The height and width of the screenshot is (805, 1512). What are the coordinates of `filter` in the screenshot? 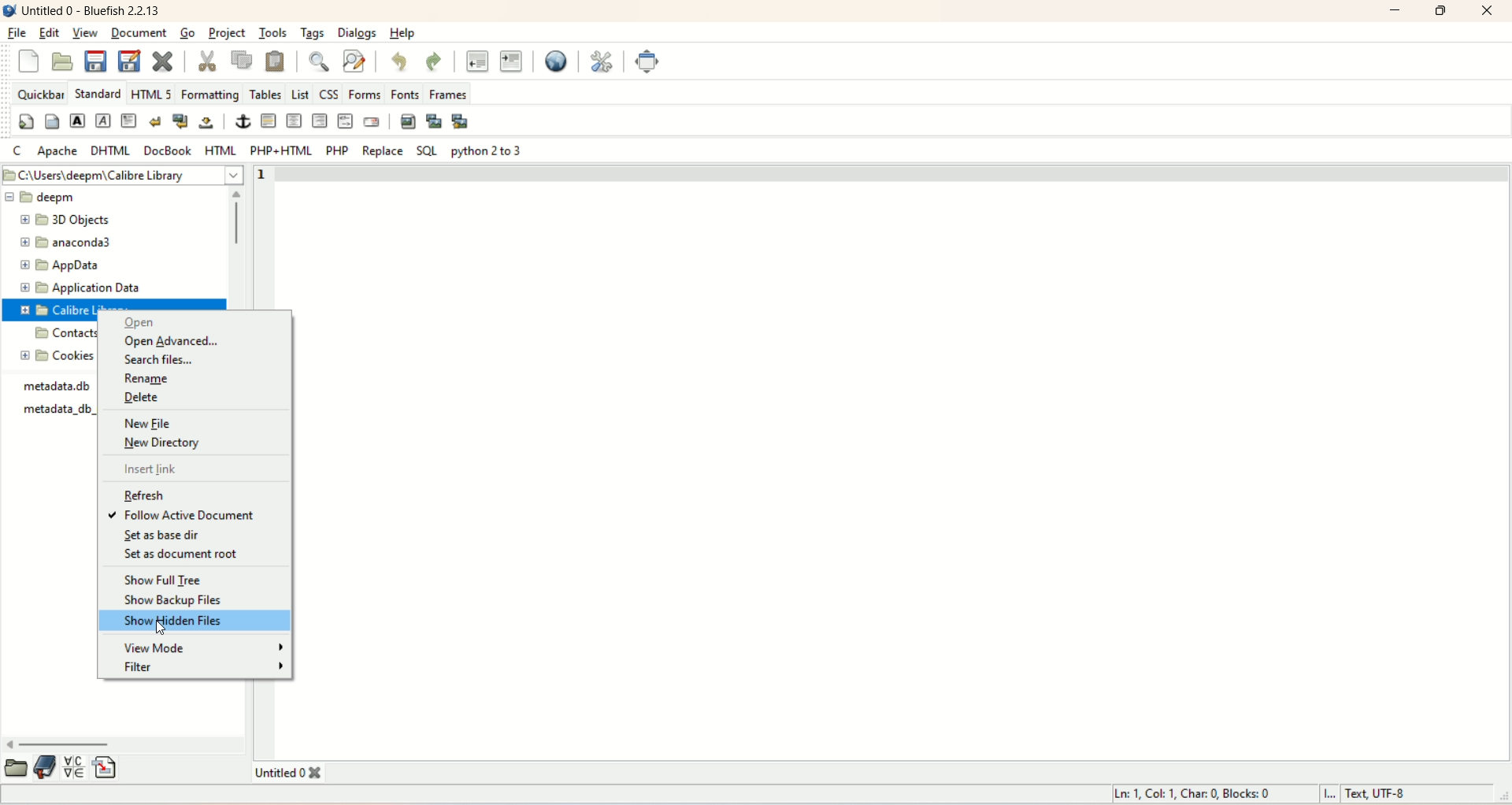 It's located at (206, 668).